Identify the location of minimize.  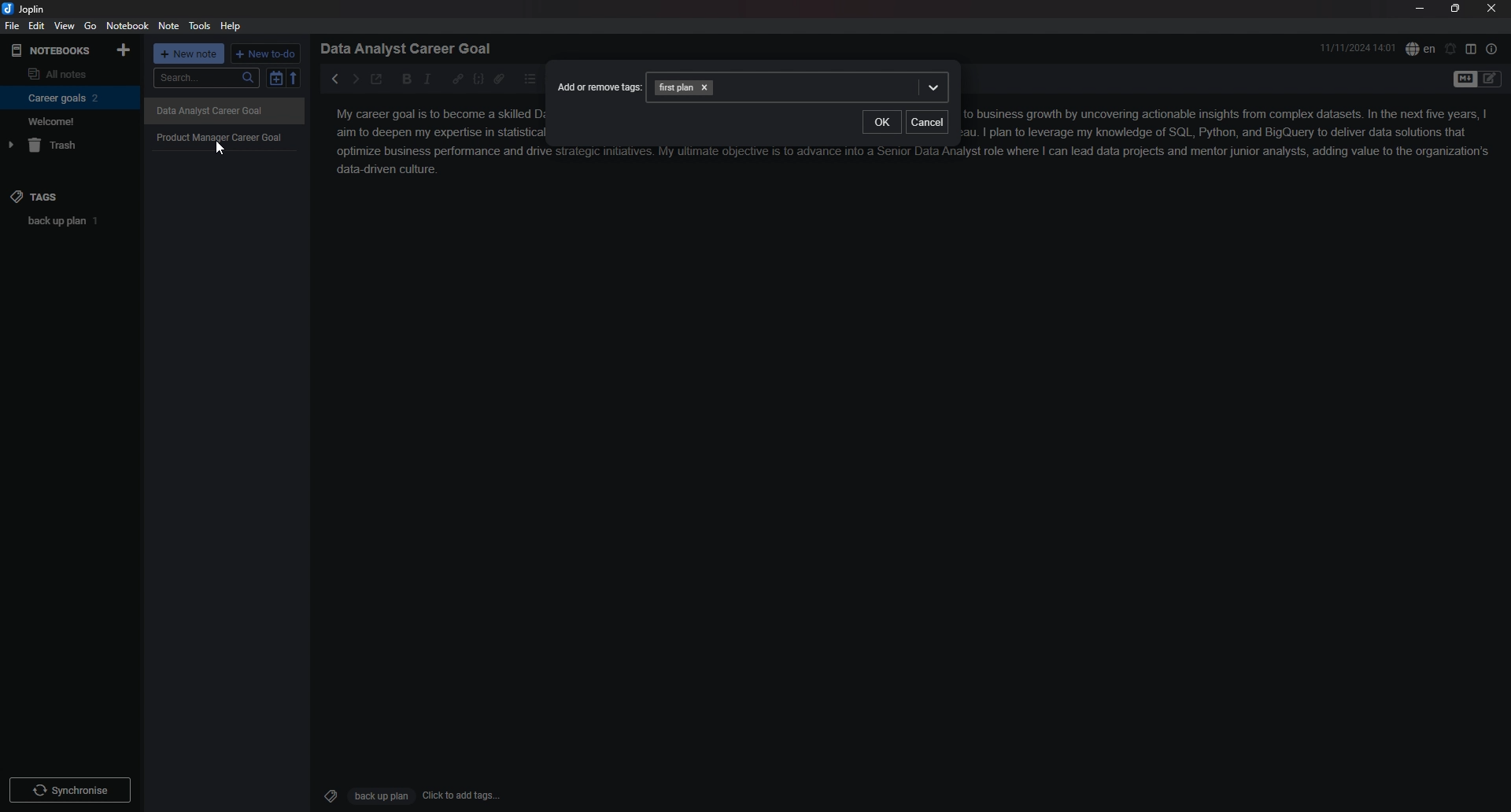
(1419, 8).